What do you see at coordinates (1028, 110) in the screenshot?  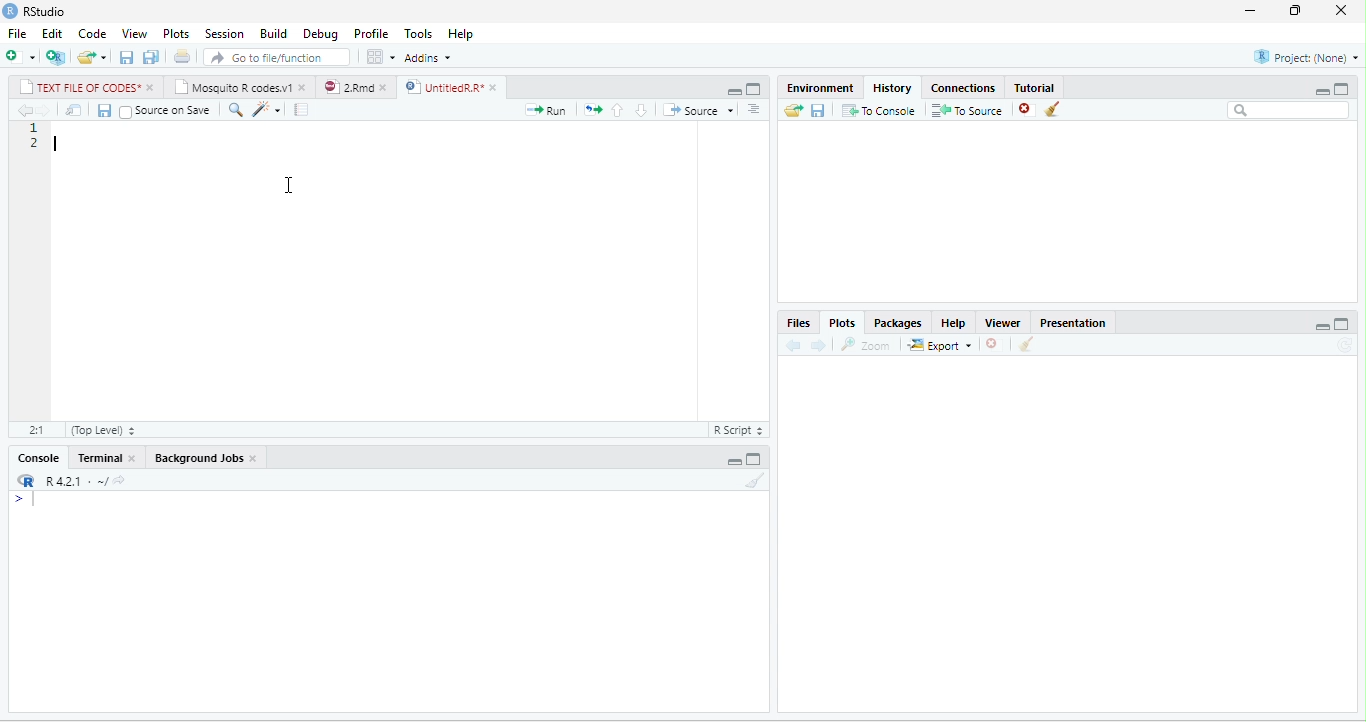 I see `close file` at bounding box center [1028, 110].